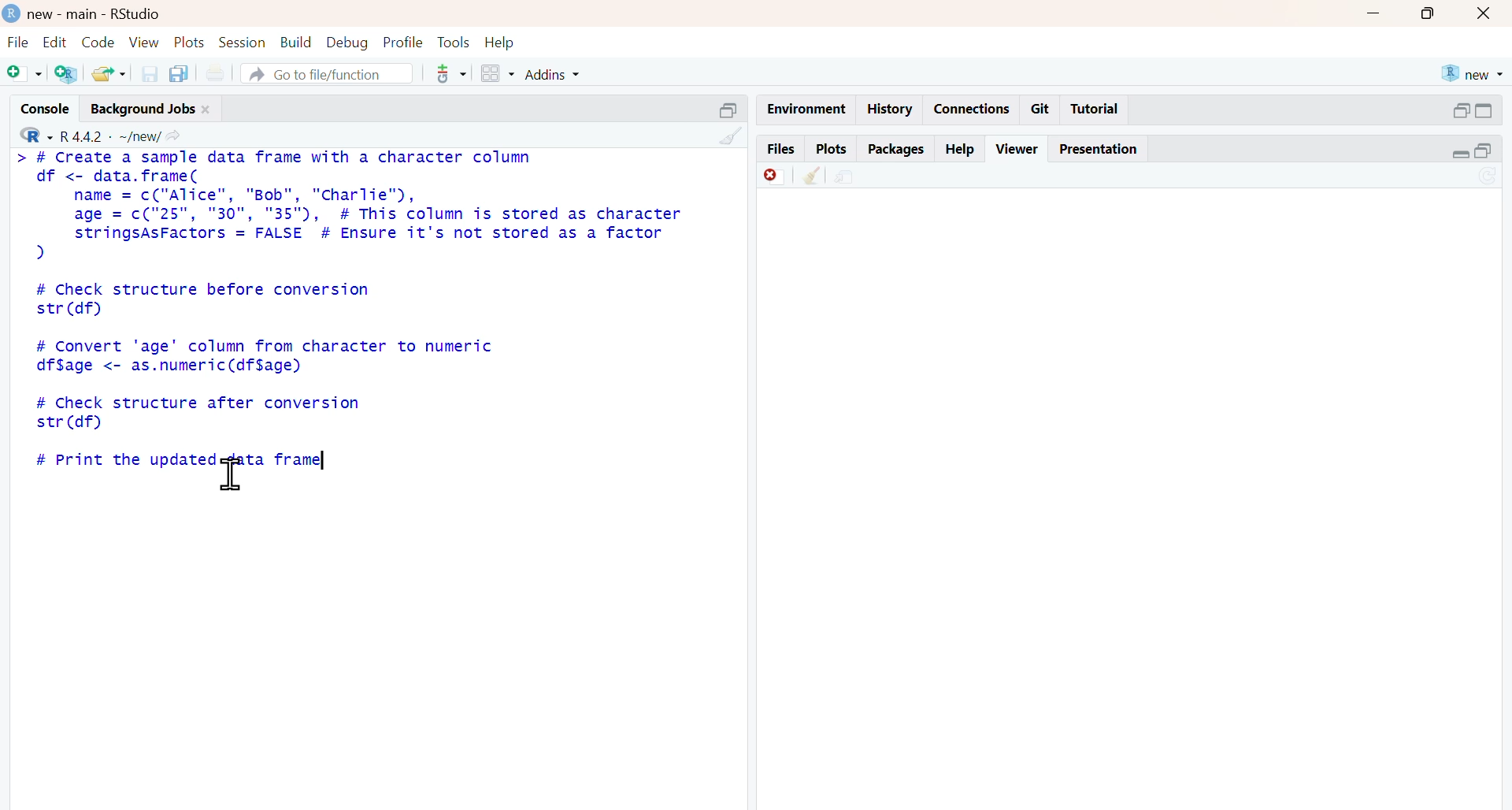 The height and width of the screenshot is (810, 1512). What do you see at coordinates (1490, 177) in the screenshot?
I see `sync` at bounding box center [1490, 177].